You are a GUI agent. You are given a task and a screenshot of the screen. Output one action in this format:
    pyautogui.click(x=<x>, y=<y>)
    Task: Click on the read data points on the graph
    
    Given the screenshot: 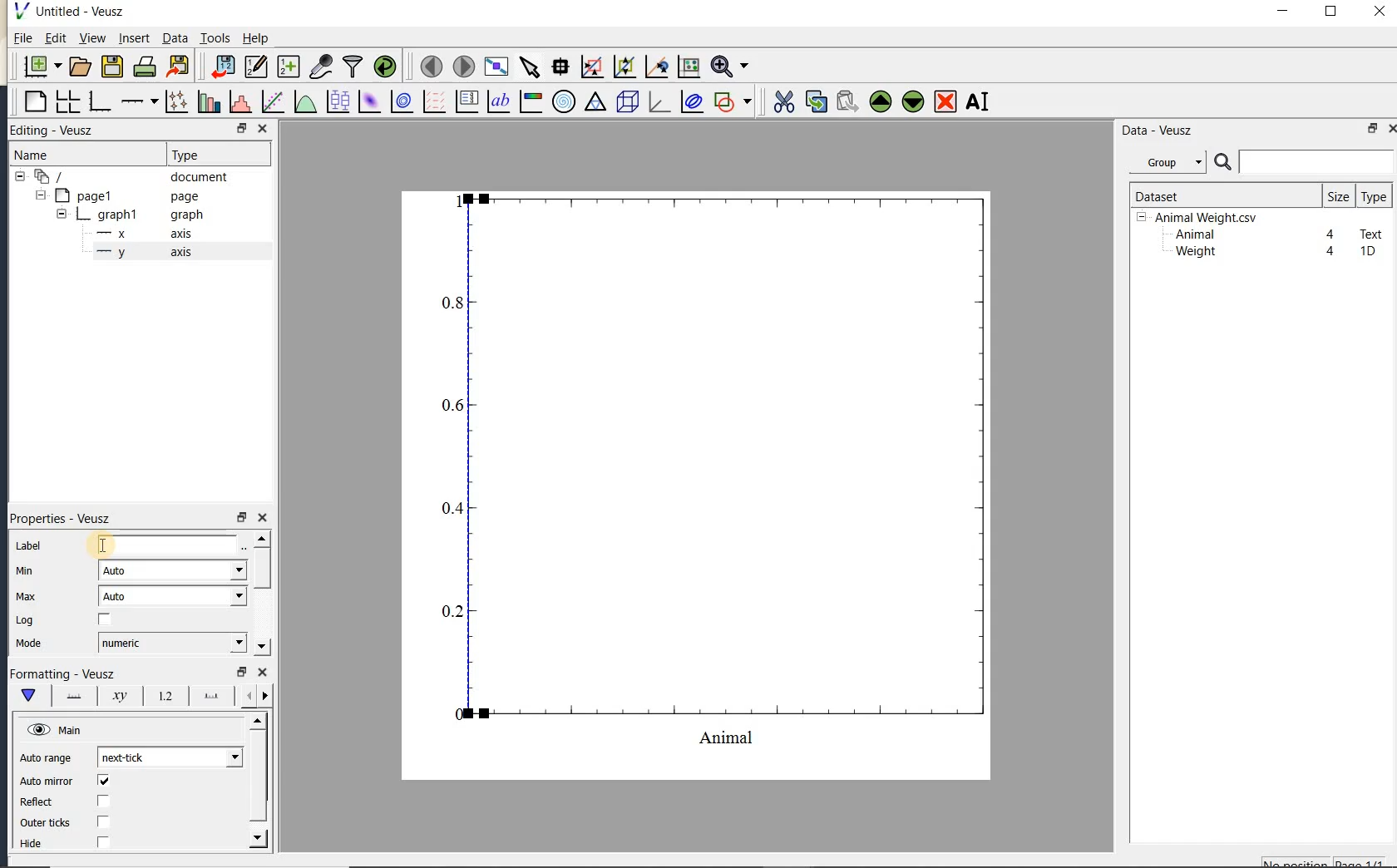 What is the action you would take?
    pyautogui.click(x=560, y=67)
    